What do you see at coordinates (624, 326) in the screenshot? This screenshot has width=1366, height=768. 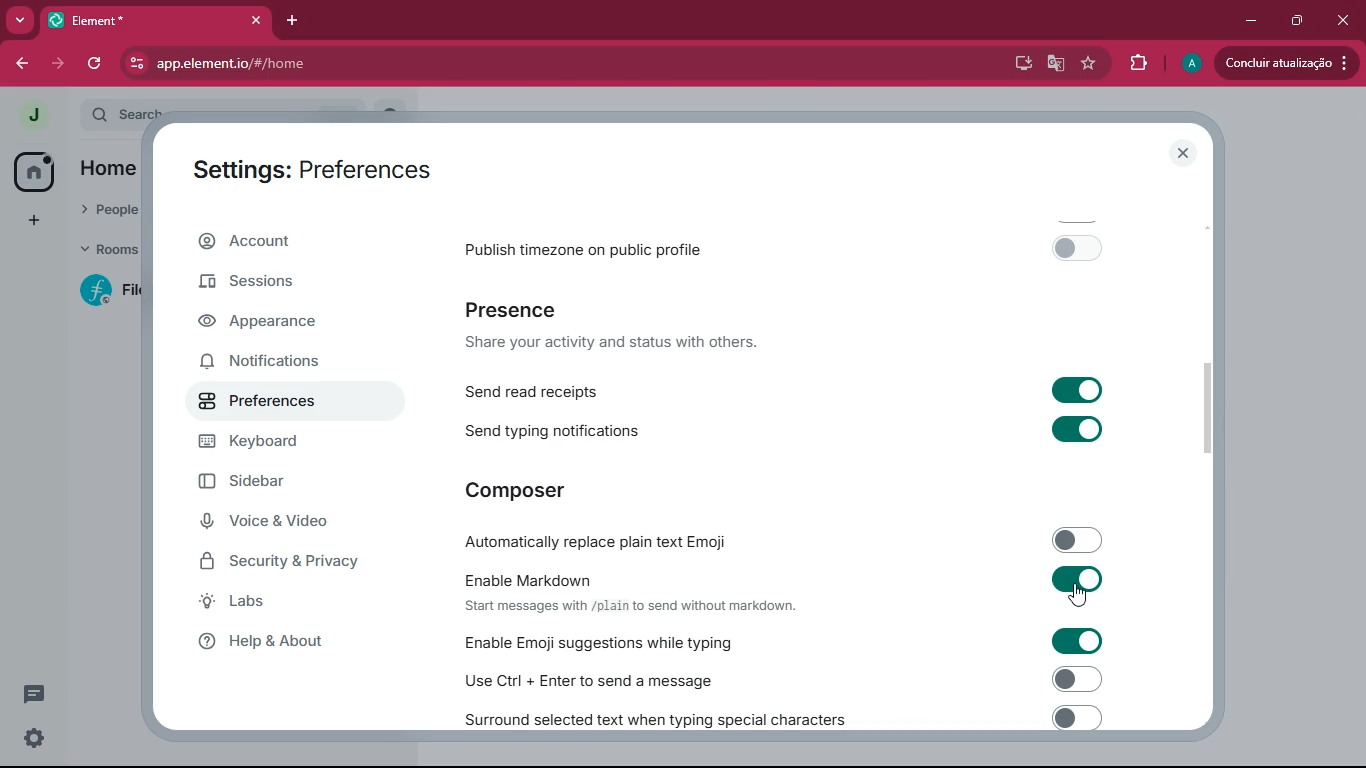 I see `presence Share your activity and status with others.` at bounding box center [624, 326].